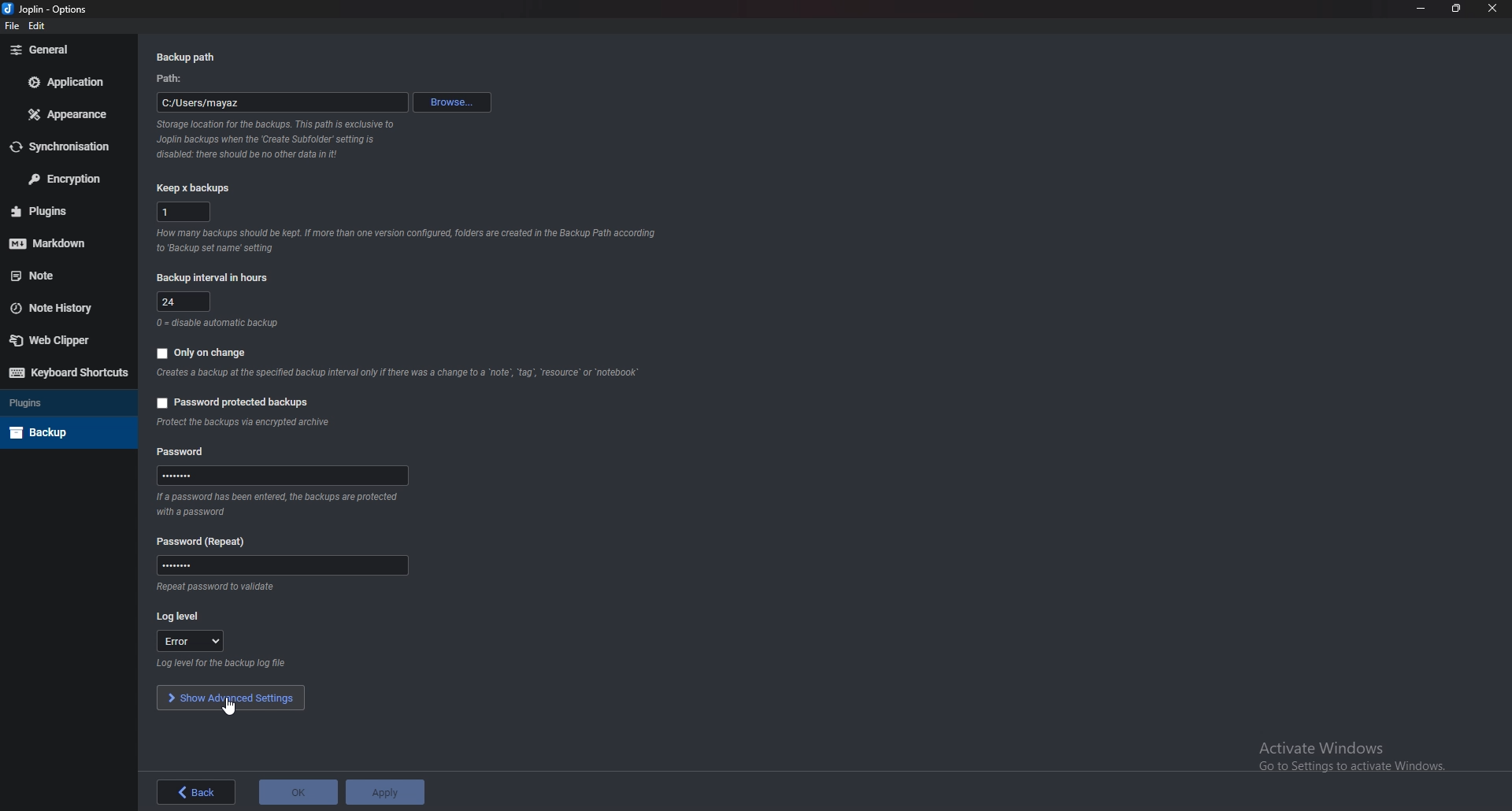  I want to click on Info, so click(224, 661).